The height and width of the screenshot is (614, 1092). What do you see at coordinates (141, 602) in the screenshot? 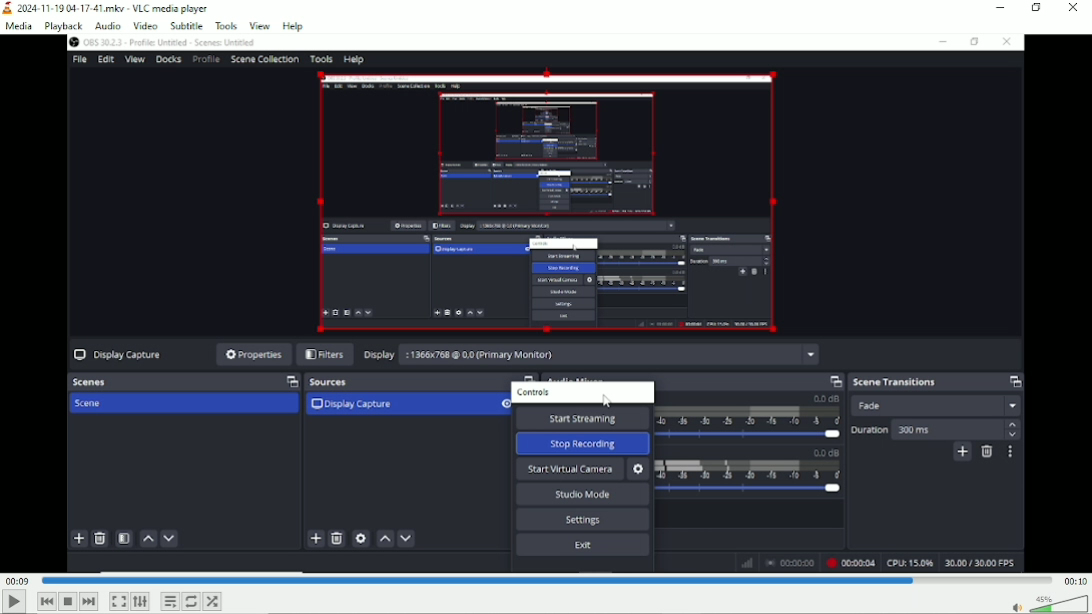
I see `show extended settings` at bounding box center [141, 602].